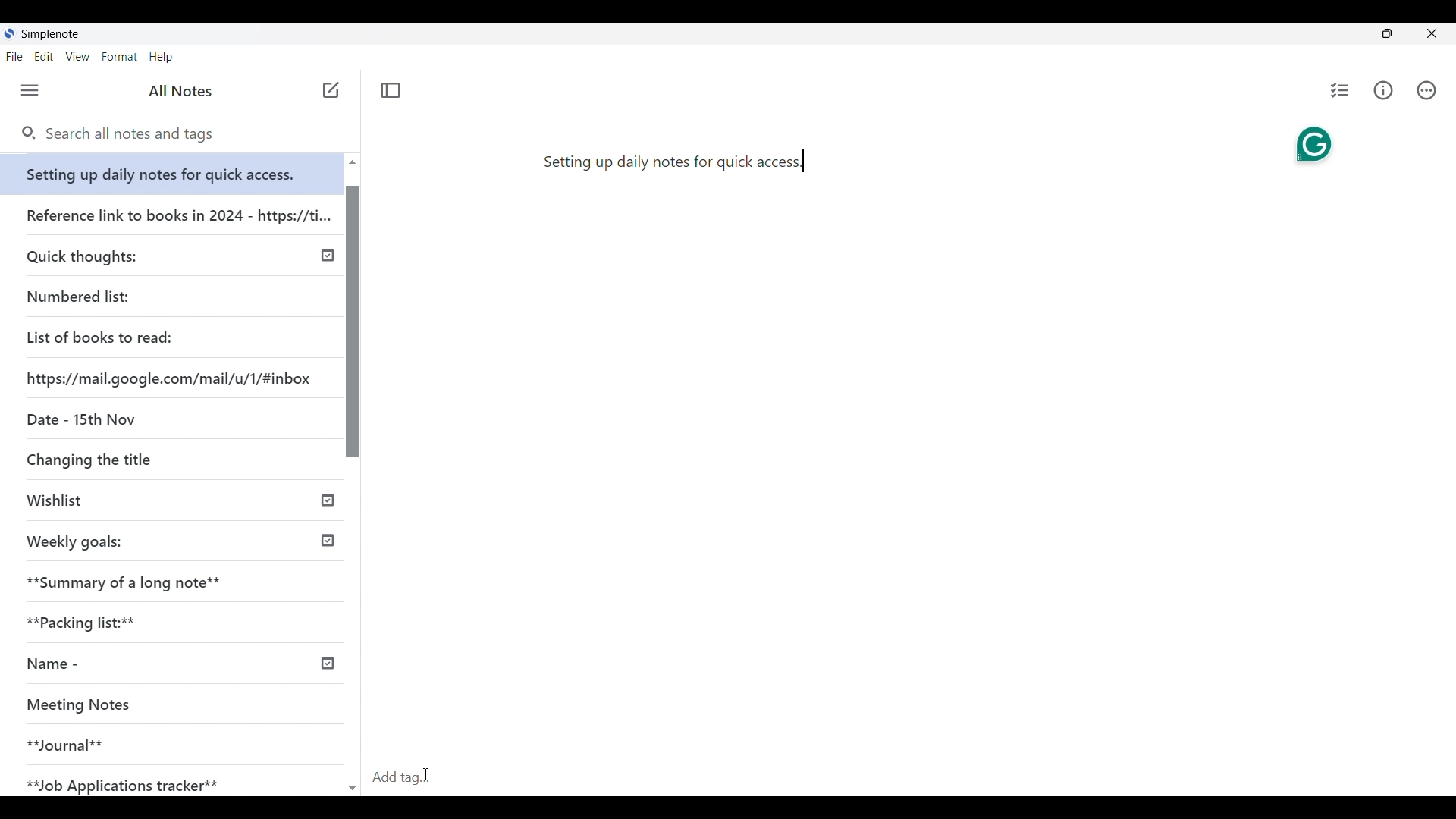 The height and width of the screenshot is (819, 1456). What do you see at coordinates (328, 256) in the screenshot?
I see `published` at bounding box center [328, 256].